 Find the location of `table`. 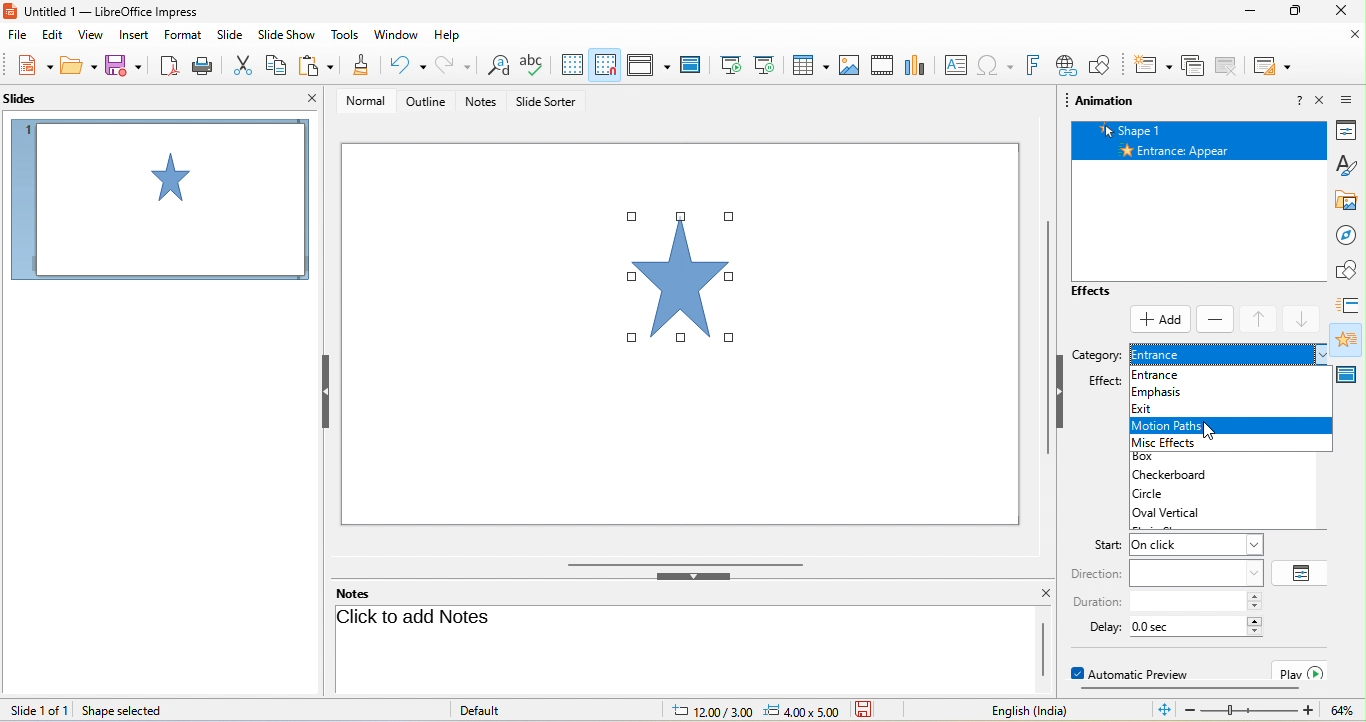

table is located at coordinates (807, 64).